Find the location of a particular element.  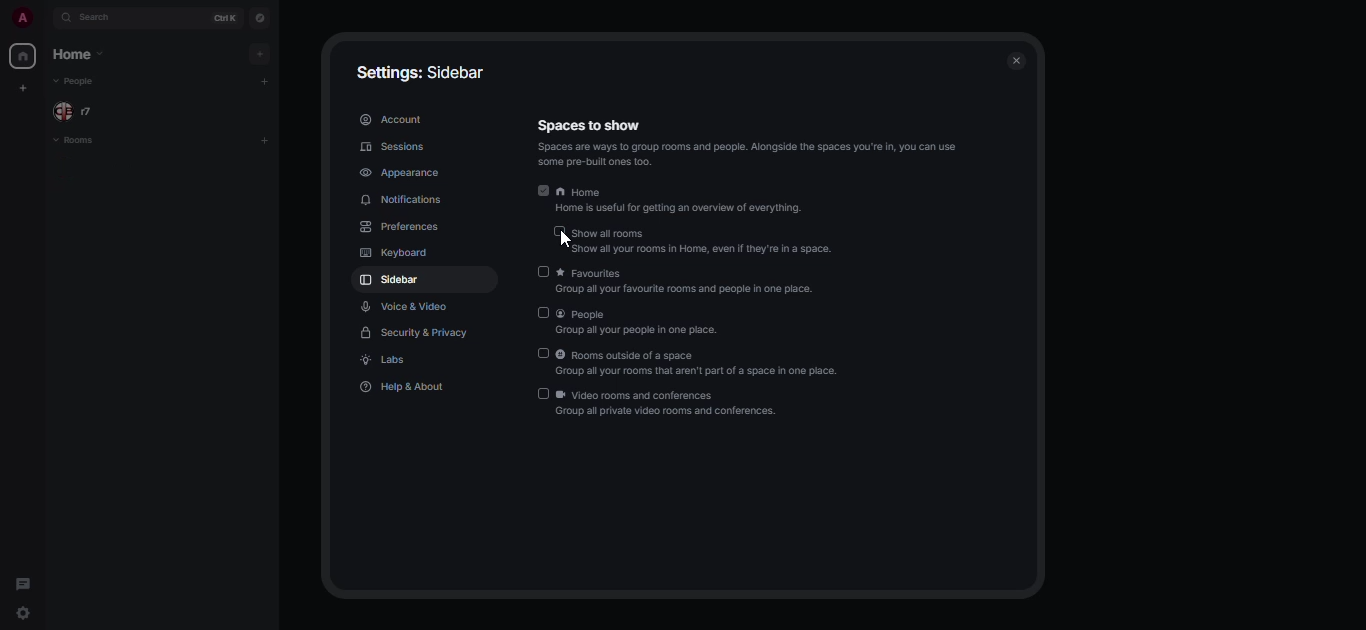

profile is located at coordinates (21, 19).